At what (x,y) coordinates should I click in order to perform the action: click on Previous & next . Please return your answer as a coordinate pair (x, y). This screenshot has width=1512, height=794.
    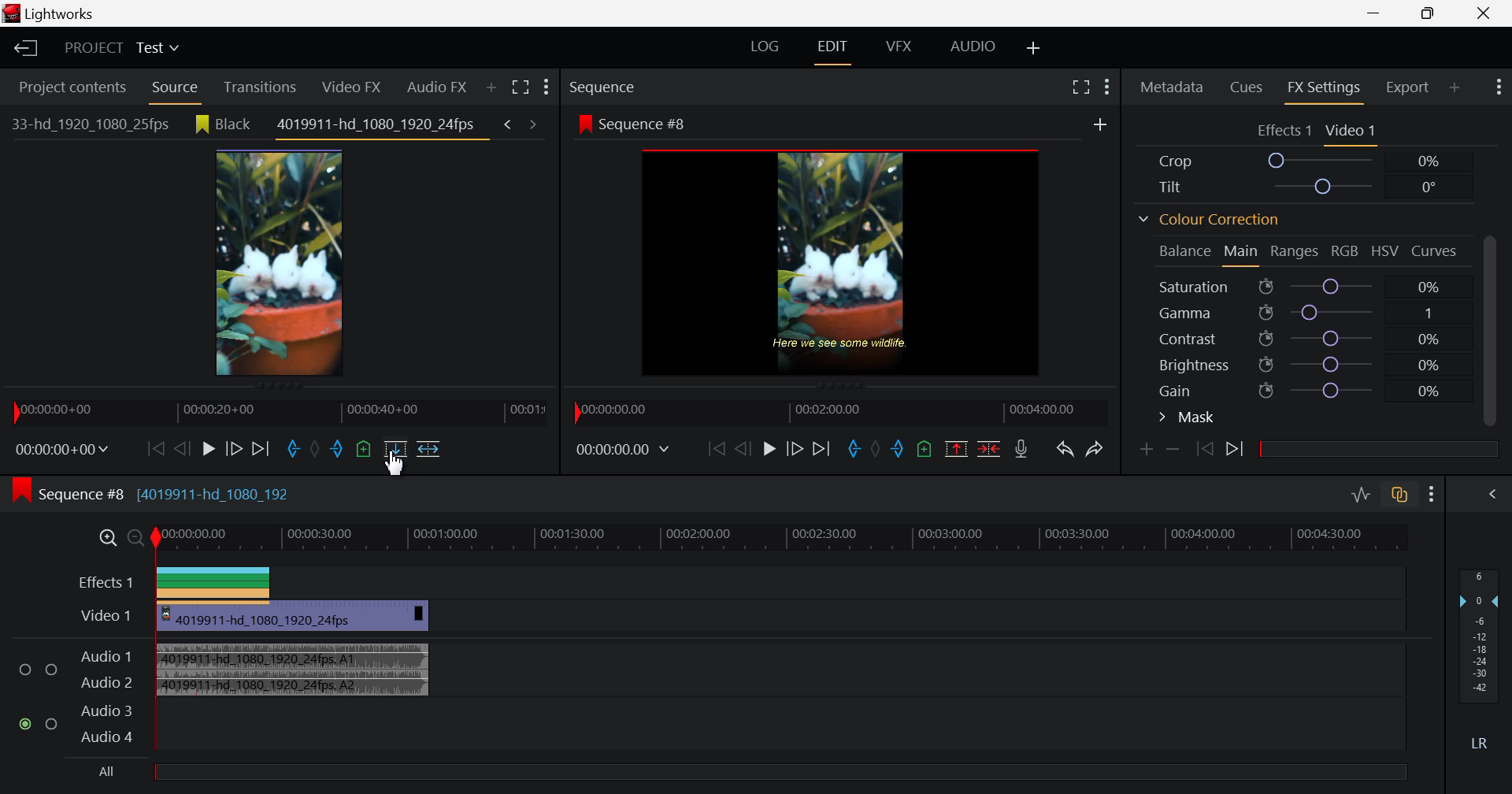
    Looking at the image, I should click on (522, 123).